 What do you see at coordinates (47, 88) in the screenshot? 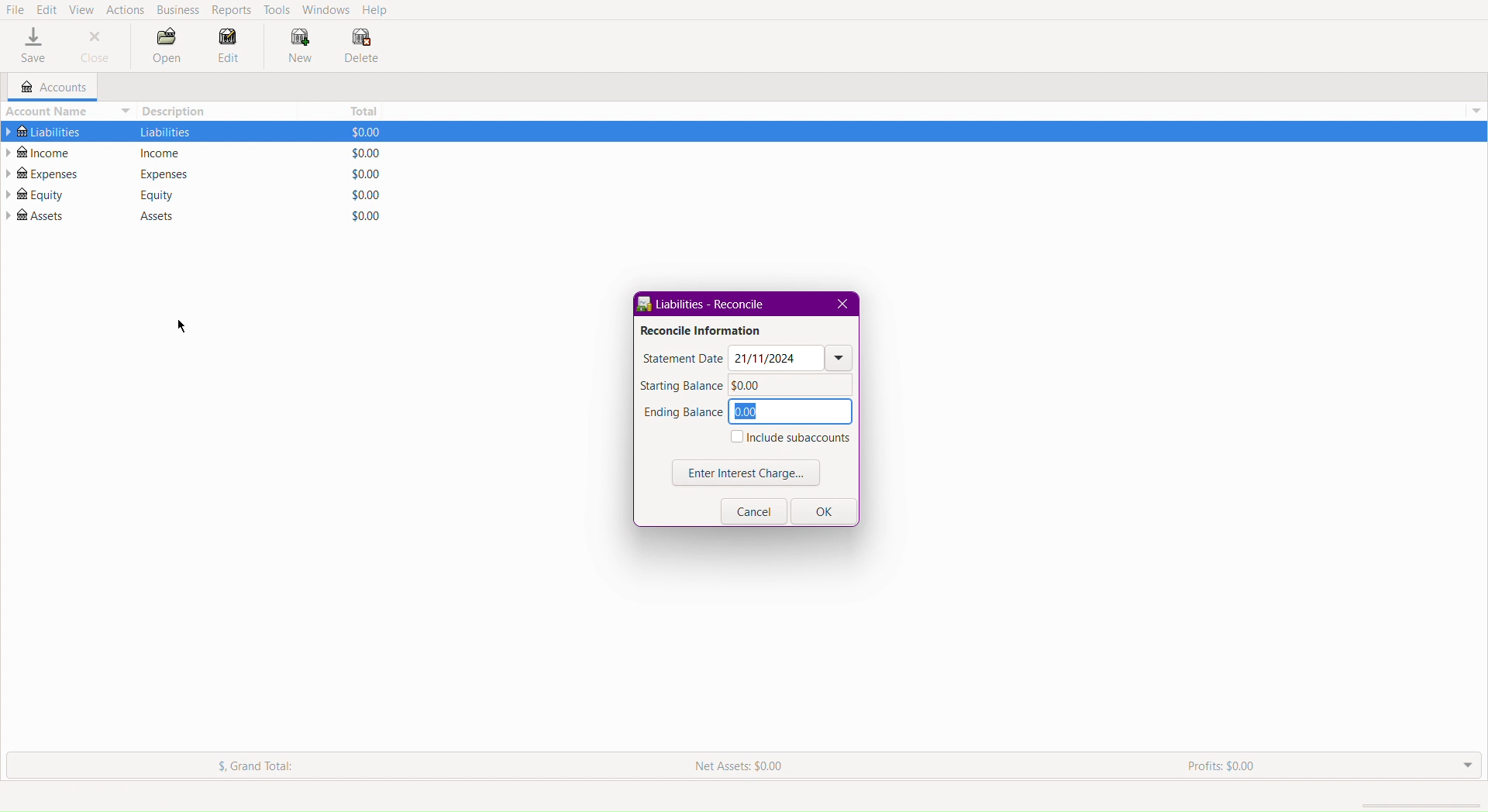
I see `Accounts` at bounding box center [47, 88].